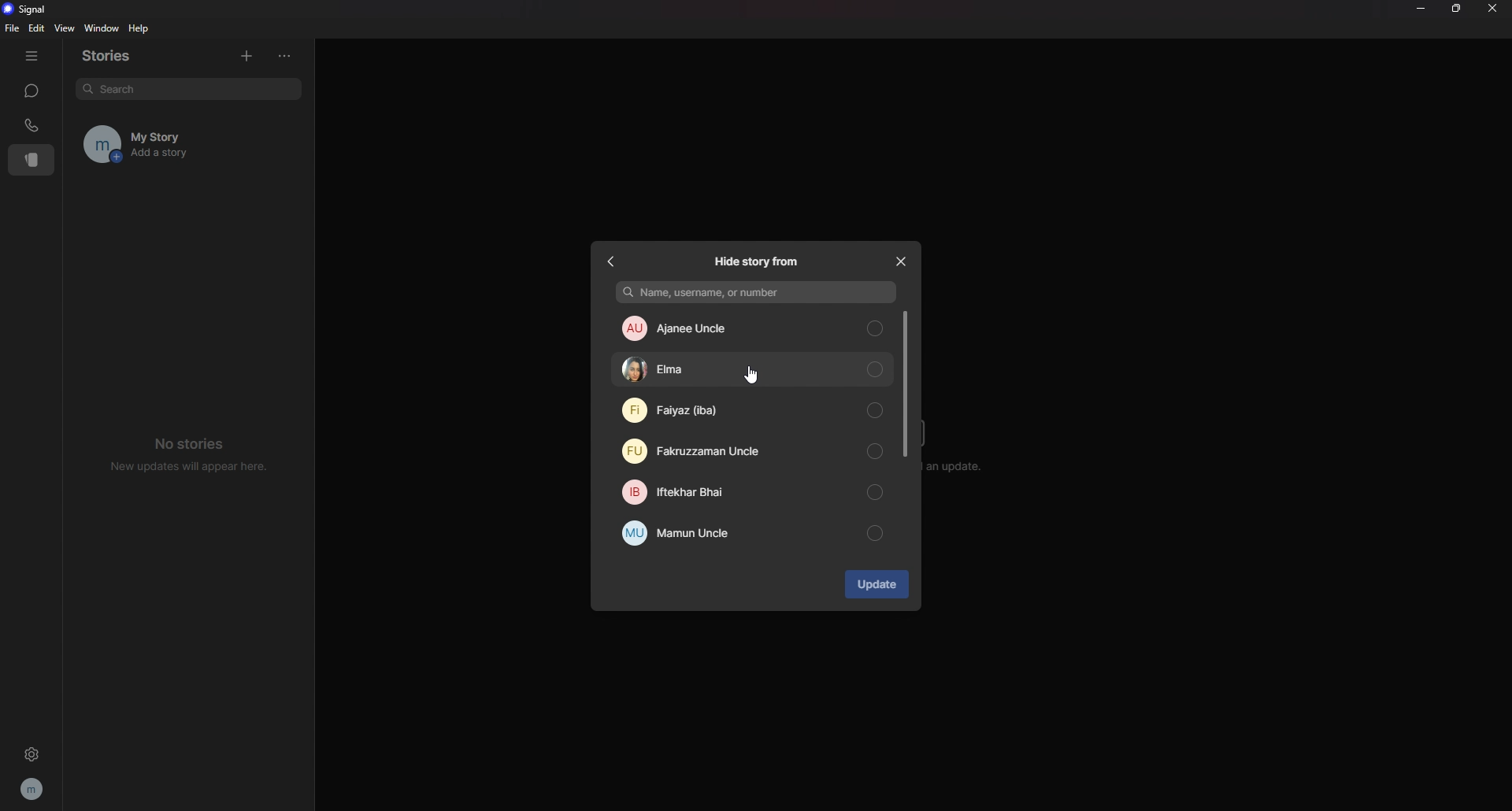 The width and height of the screenshot is (1512, 811). Describe the element at coordinates (753, 370) in the screenshot. I see `elma` at that location.